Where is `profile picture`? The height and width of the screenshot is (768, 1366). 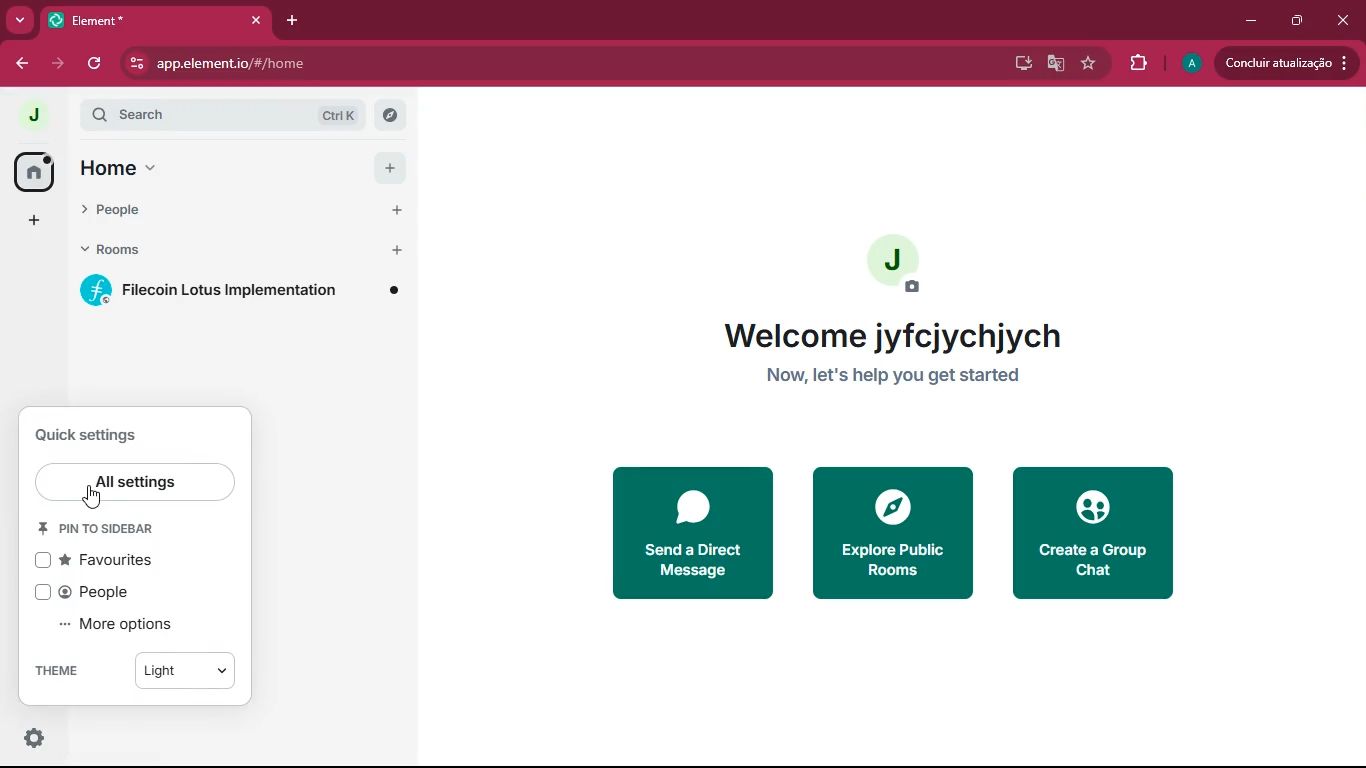
profile picture is located at coordinates (893, 264).